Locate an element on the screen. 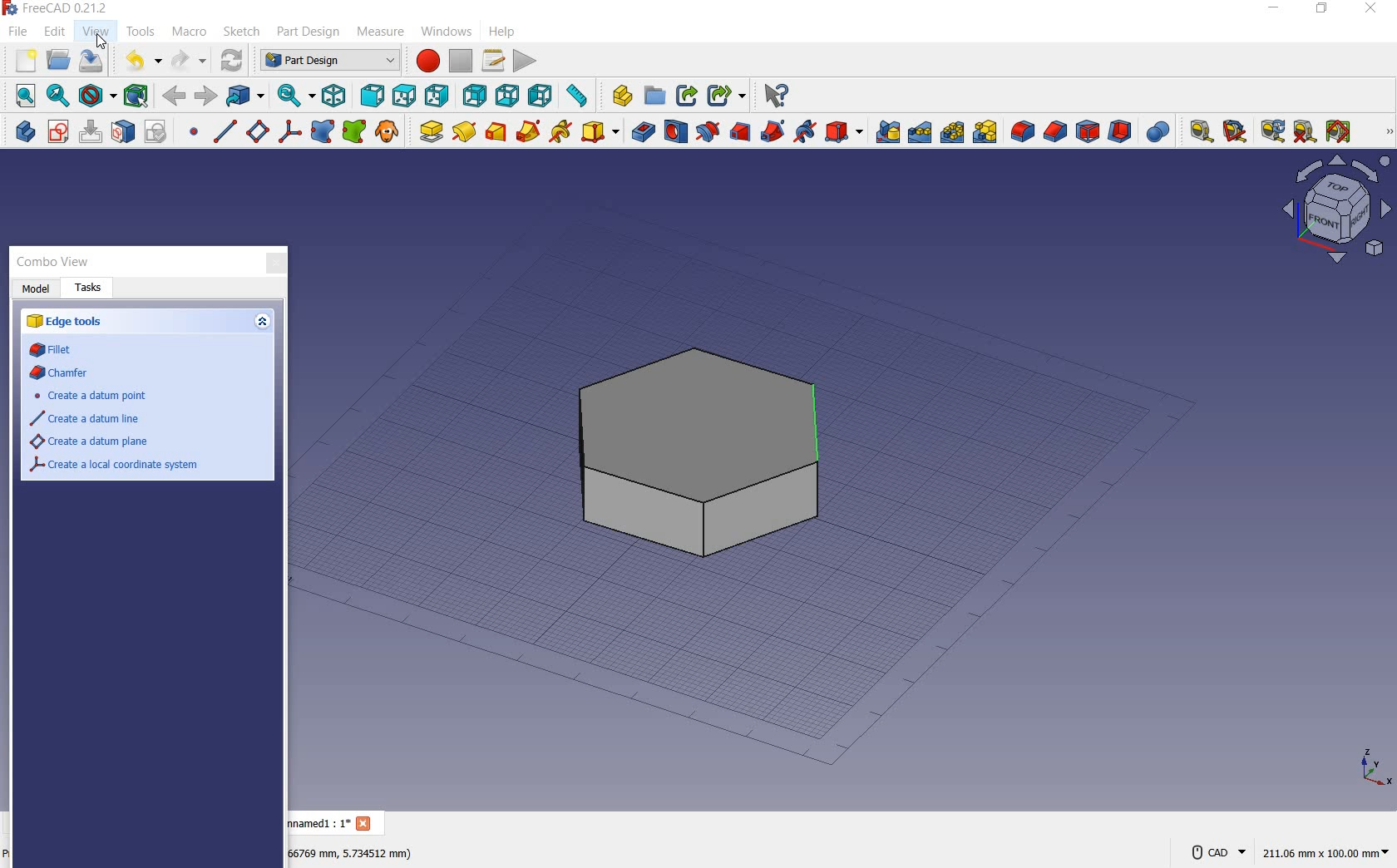  create a subtractive primitive is located at coordinates (844, 131).